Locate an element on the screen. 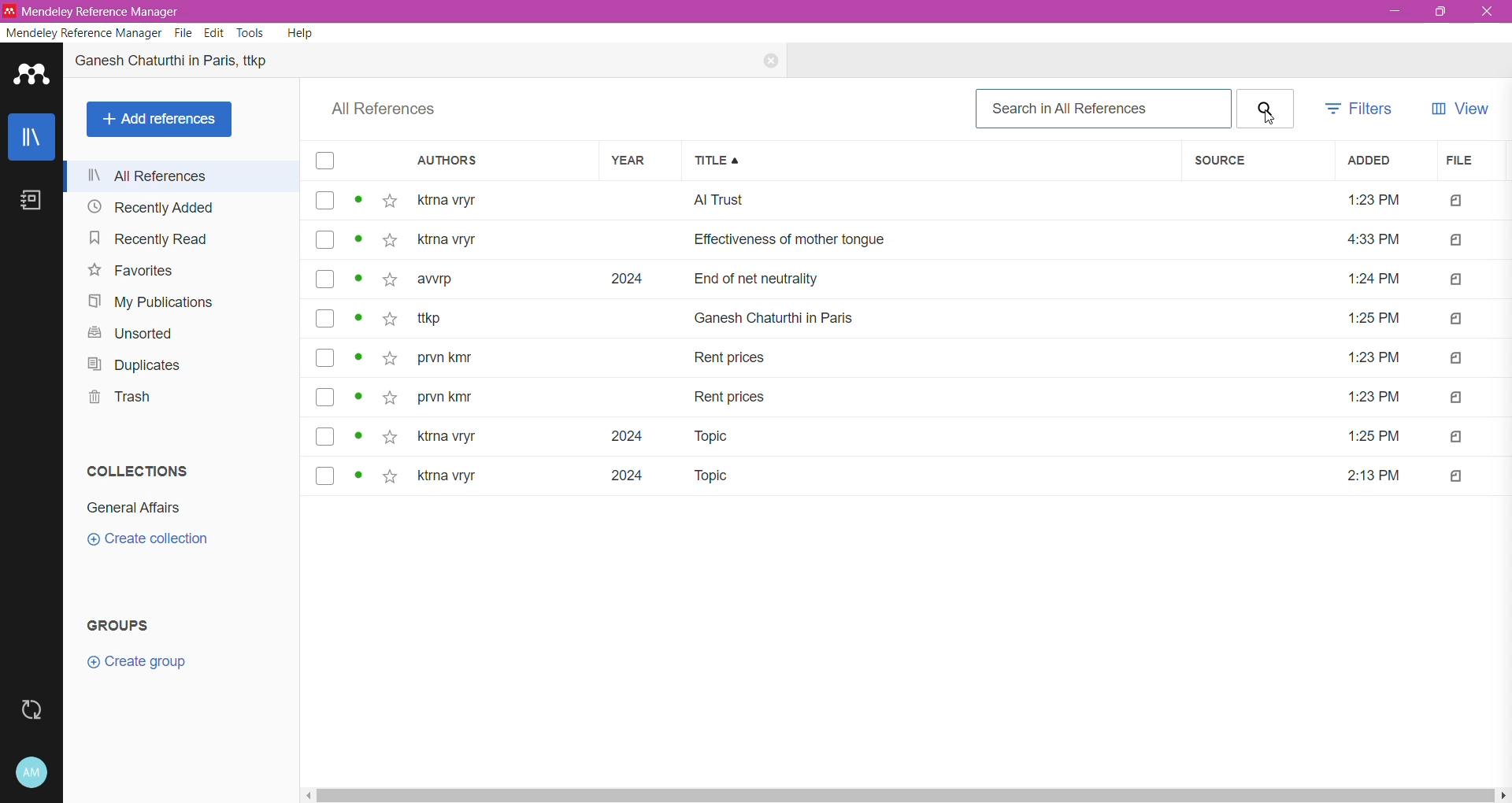 This screenshot has height=803, width=1512. Year is located at coordinates (643, 161).